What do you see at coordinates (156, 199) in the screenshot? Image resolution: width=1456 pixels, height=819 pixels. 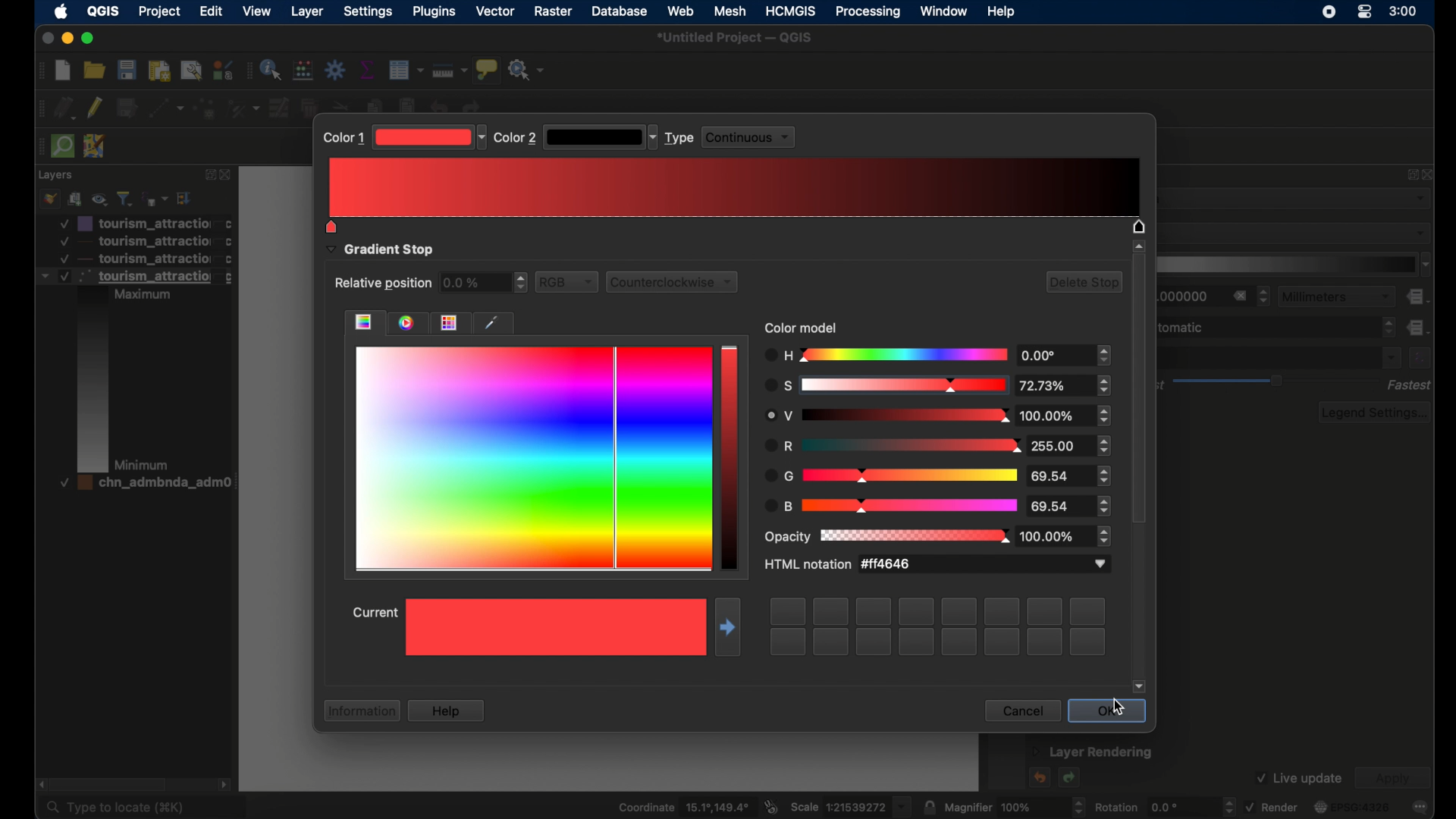 I see `filter legend by expression` at bounding box center [156, 199].